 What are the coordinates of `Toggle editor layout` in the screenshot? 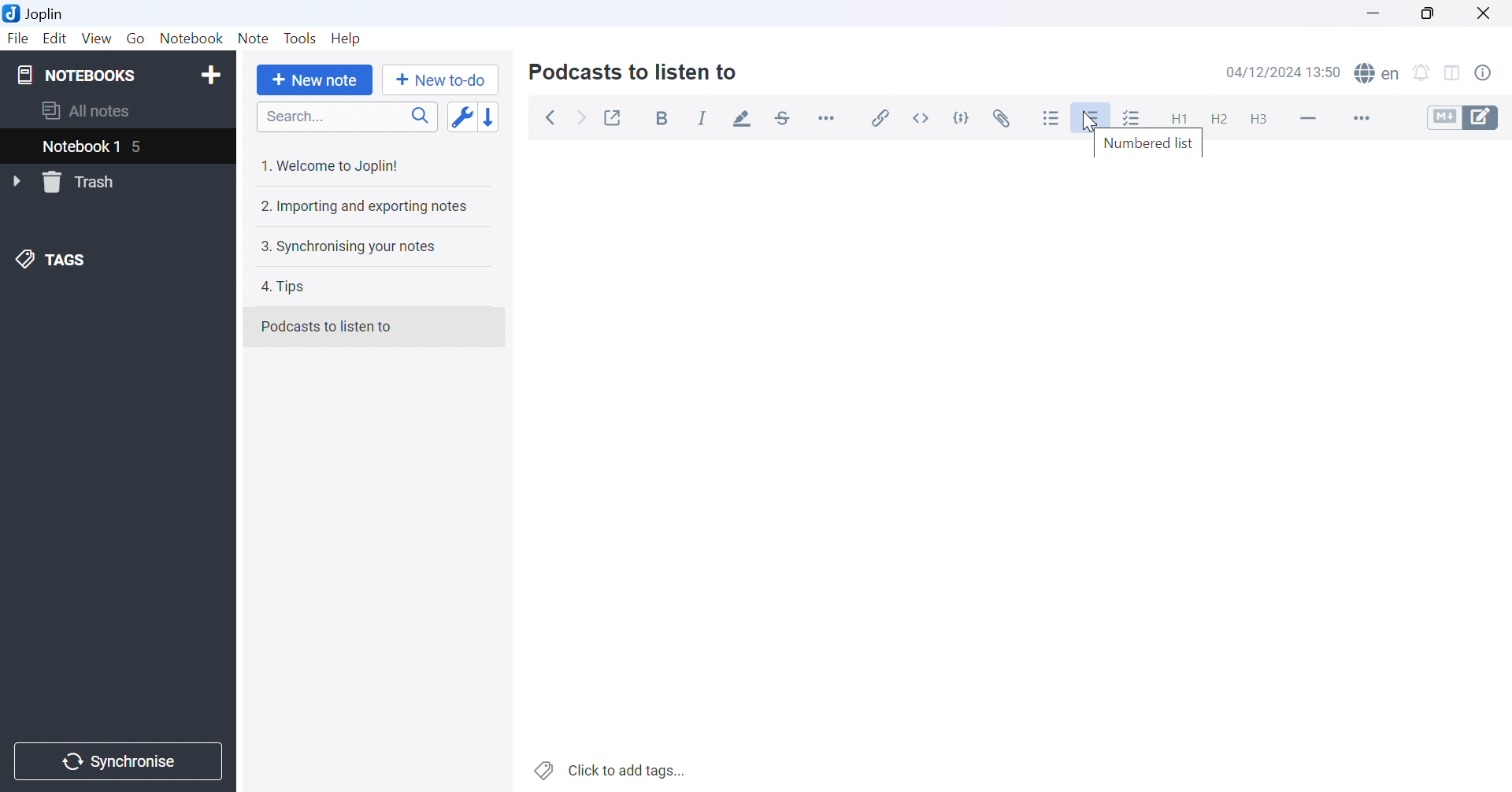 It's located at (1453, 73).